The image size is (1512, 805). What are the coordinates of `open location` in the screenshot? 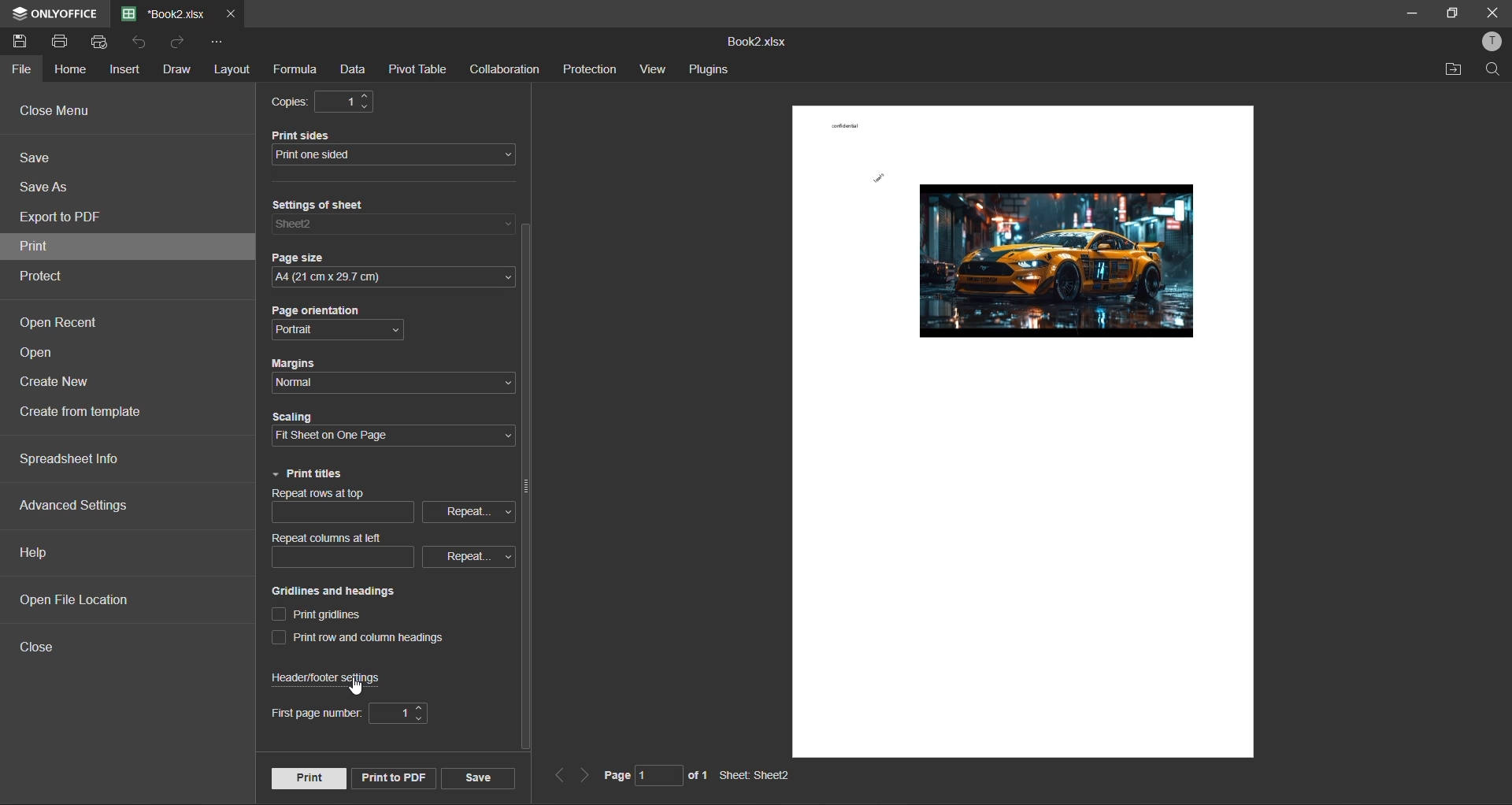 It's located at (1451, 69).